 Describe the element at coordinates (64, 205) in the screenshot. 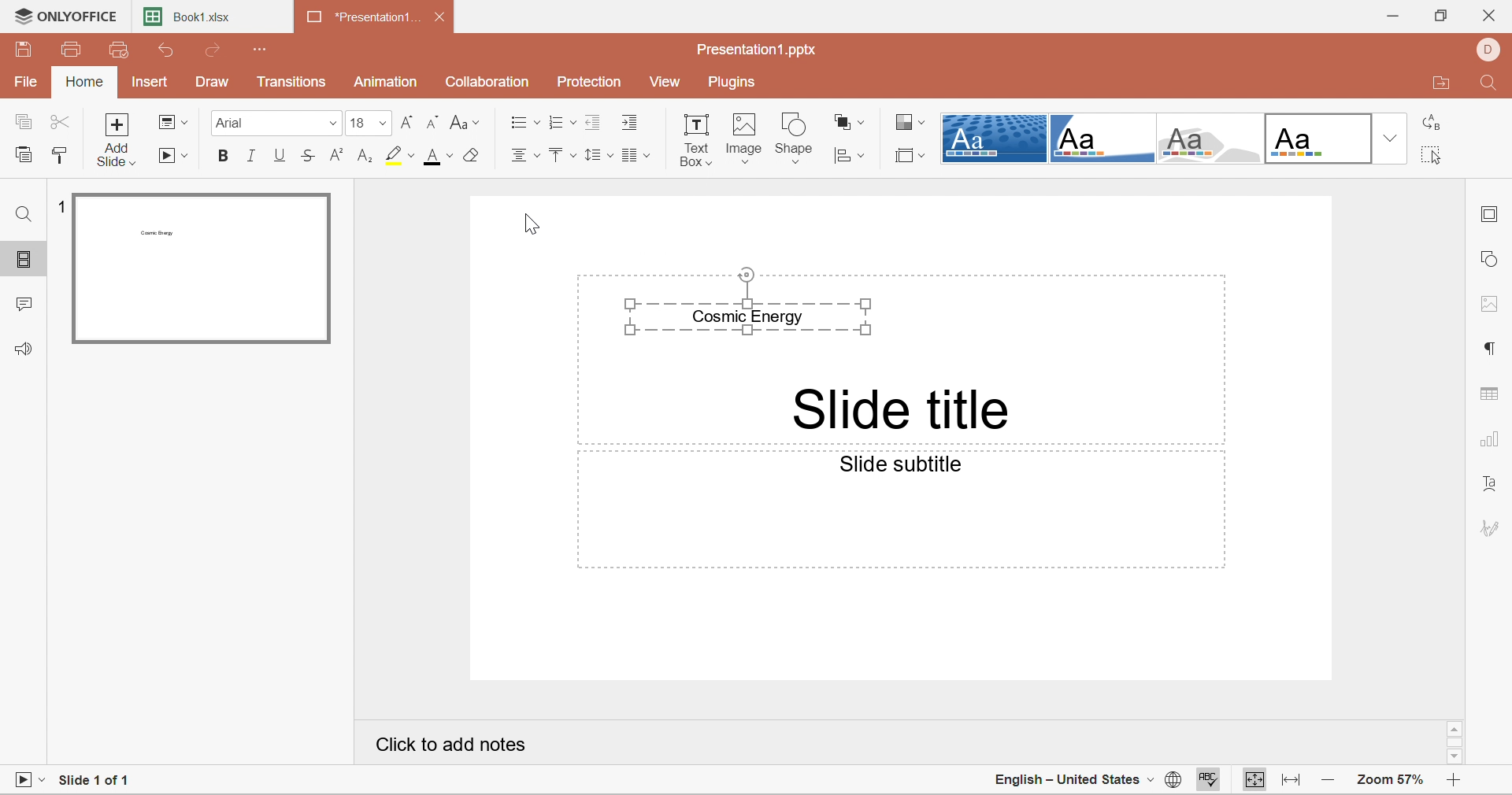

I see `1` at that location.